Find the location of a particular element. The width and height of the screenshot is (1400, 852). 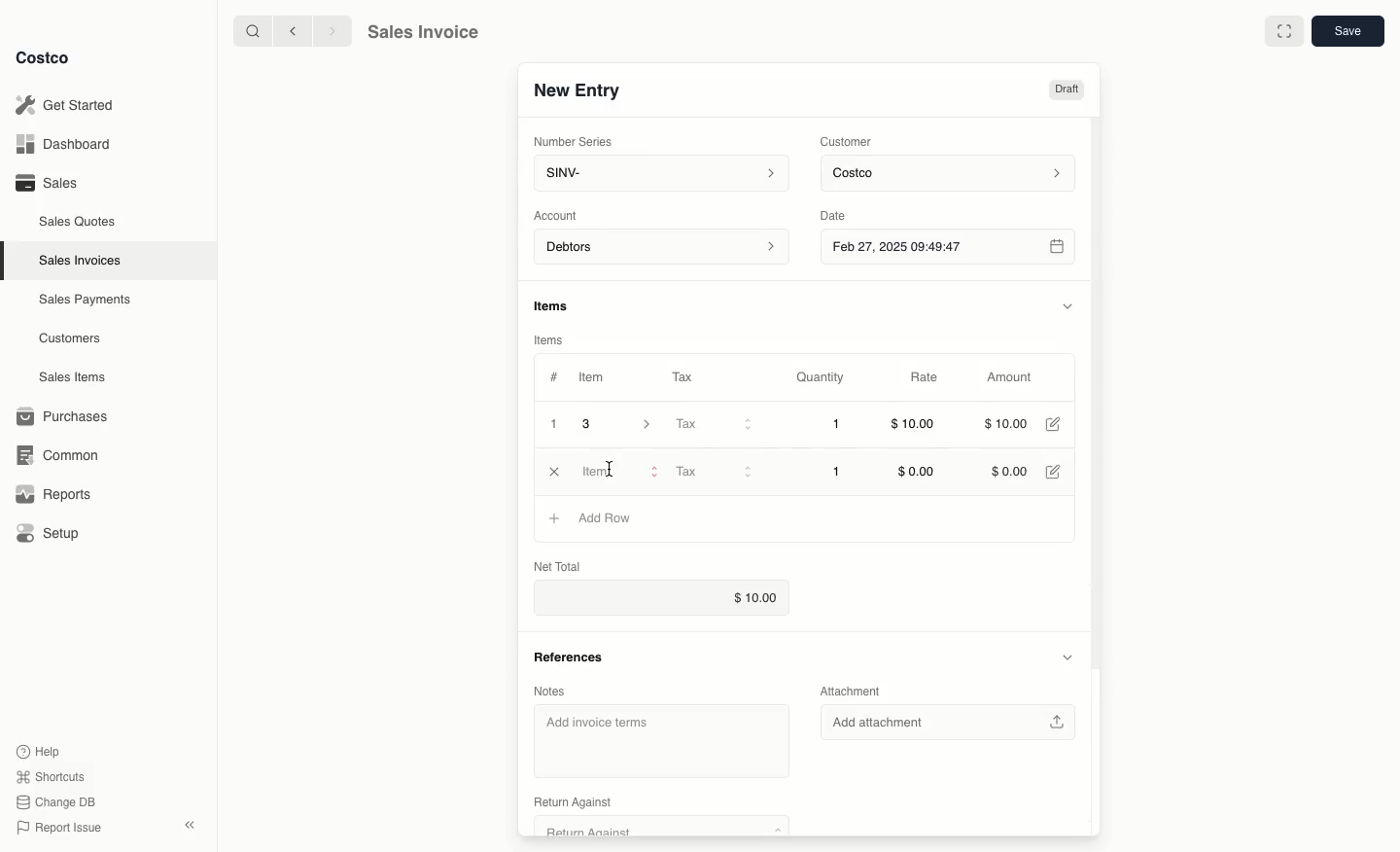

Sales Quotes is located at coordinates (79, 221).